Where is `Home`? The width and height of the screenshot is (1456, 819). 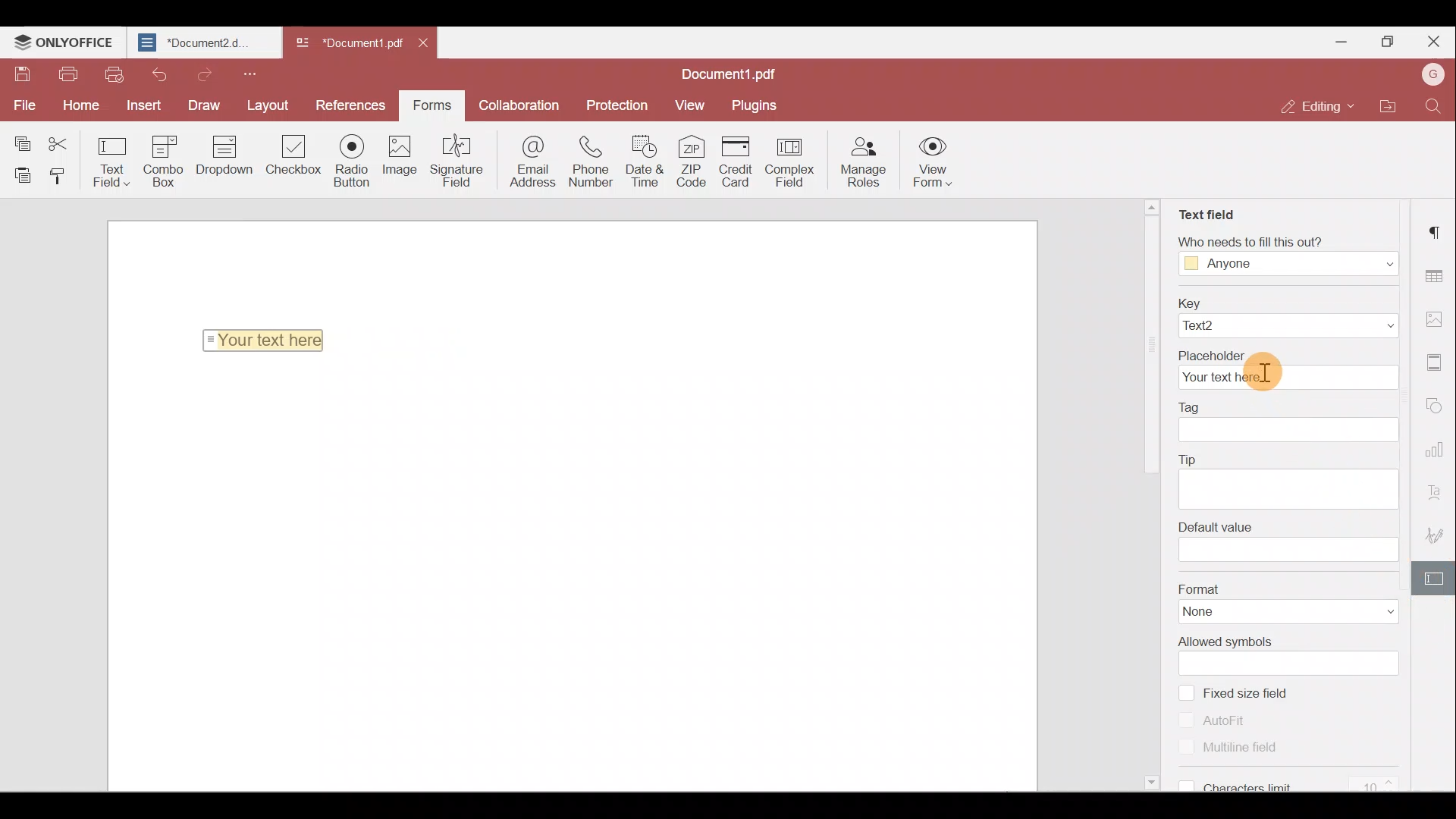
Home is located at coordinates (85, 104).